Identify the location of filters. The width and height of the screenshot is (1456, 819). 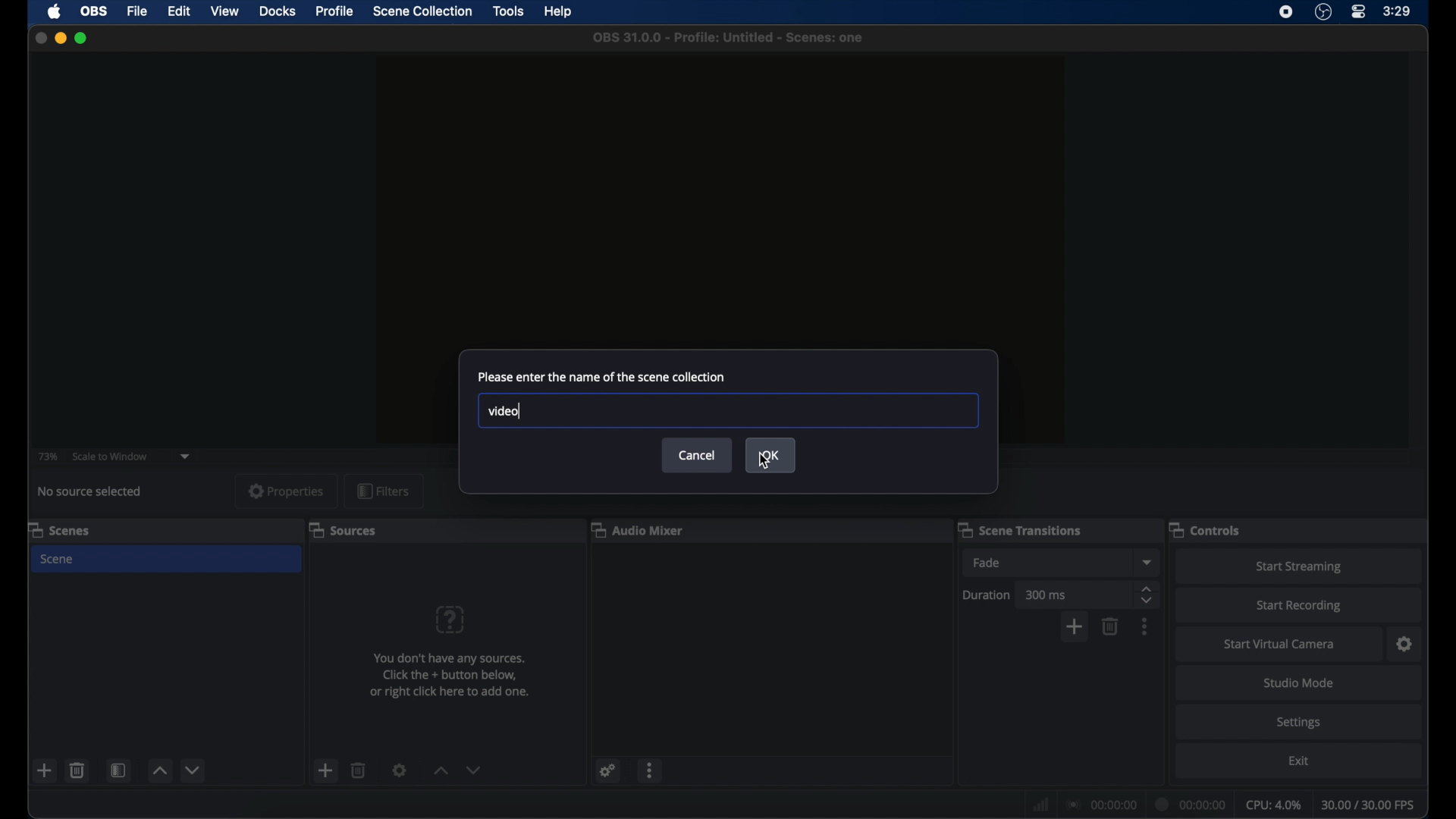
(384, 492).